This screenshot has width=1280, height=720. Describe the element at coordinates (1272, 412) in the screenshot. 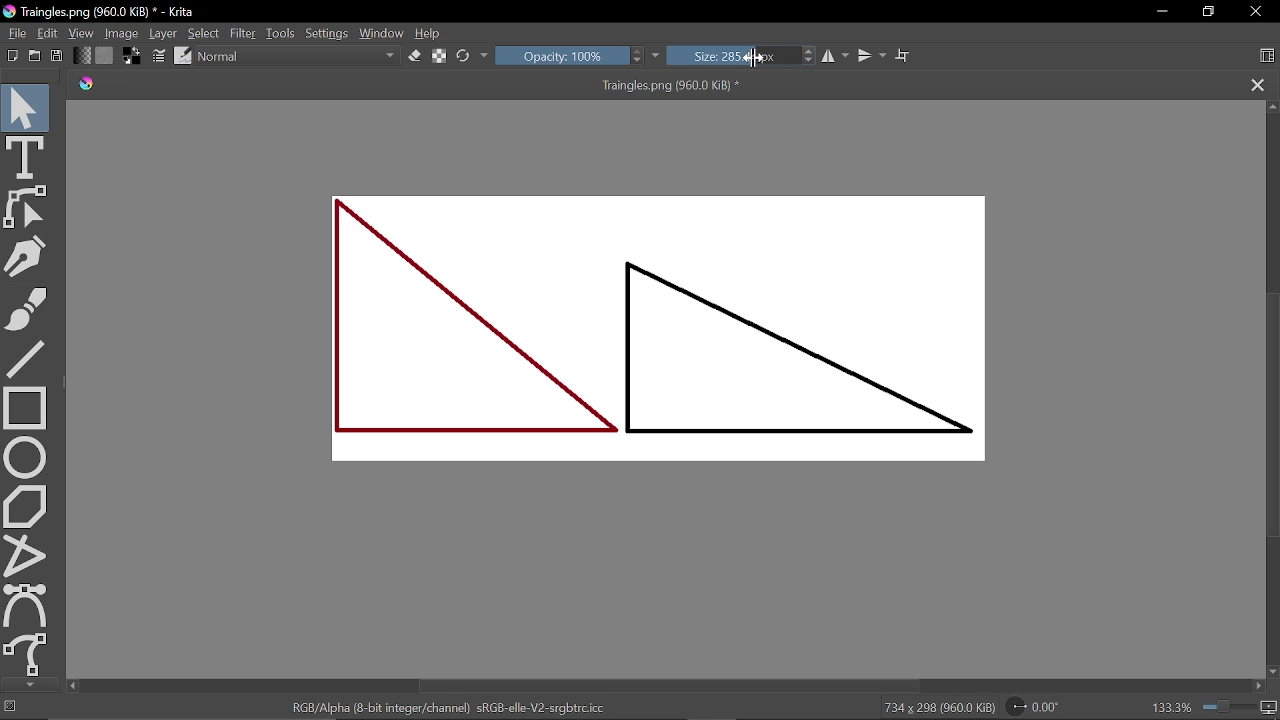

I see `Vertical scrollbar` at that location.